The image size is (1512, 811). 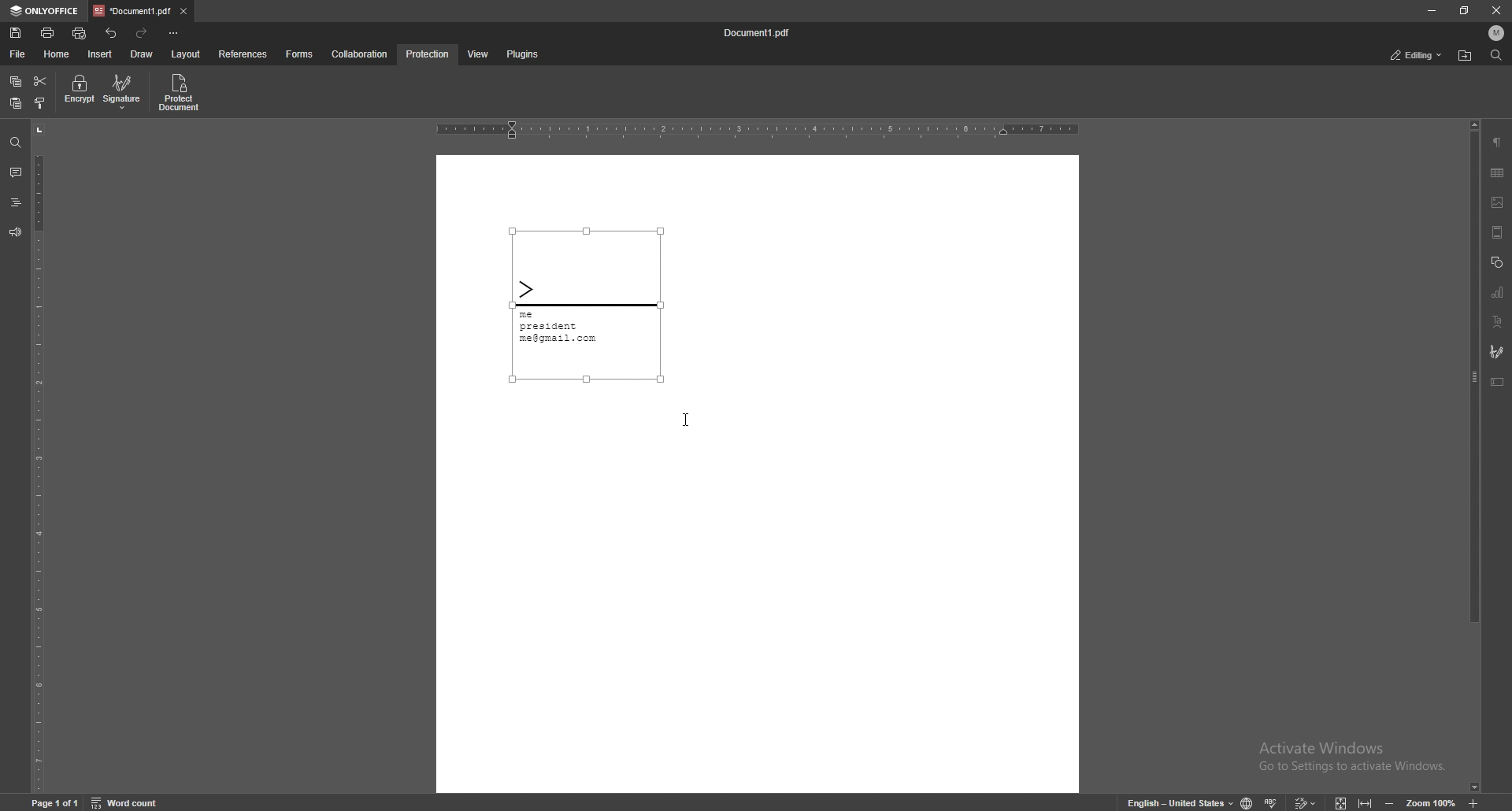 What do you see at coordinates (1497, 143) in the screenshot?
I see `paragraph` at bounding box center [1497, 143].